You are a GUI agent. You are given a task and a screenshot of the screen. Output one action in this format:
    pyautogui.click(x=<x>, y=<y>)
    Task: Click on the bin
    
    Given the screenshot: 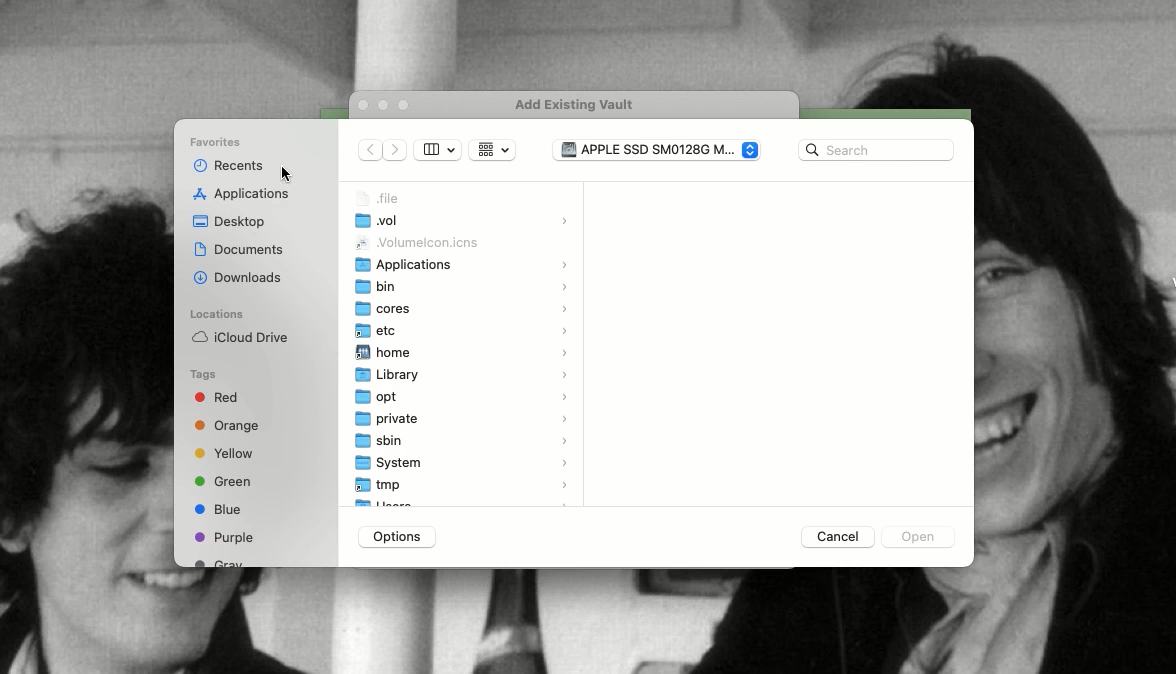 What is the action you would take?
    pyautogui.click(x=465, y=285)
    